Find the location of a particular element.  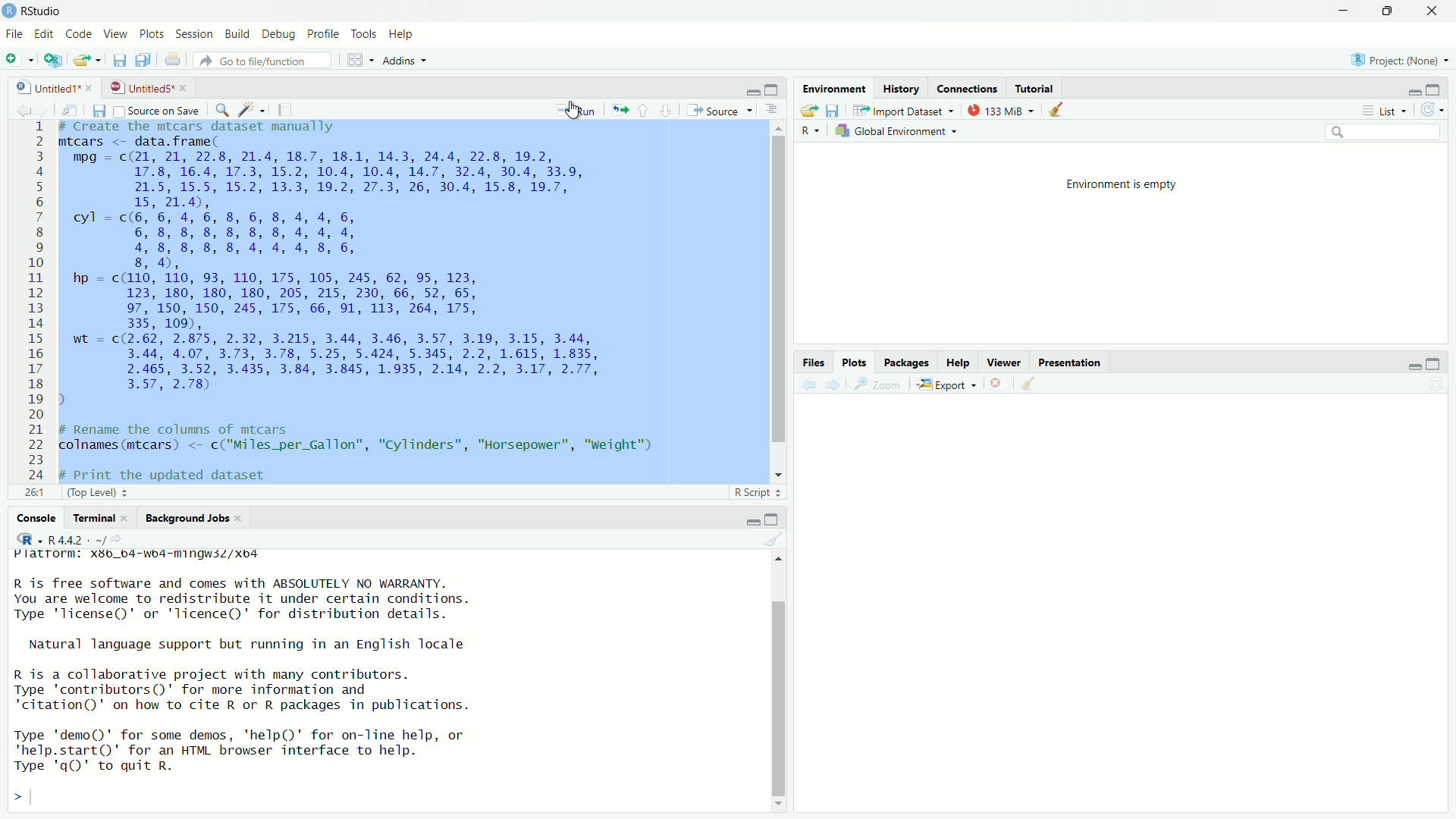

133MiB ~ is located at coordinates (1000, 111).